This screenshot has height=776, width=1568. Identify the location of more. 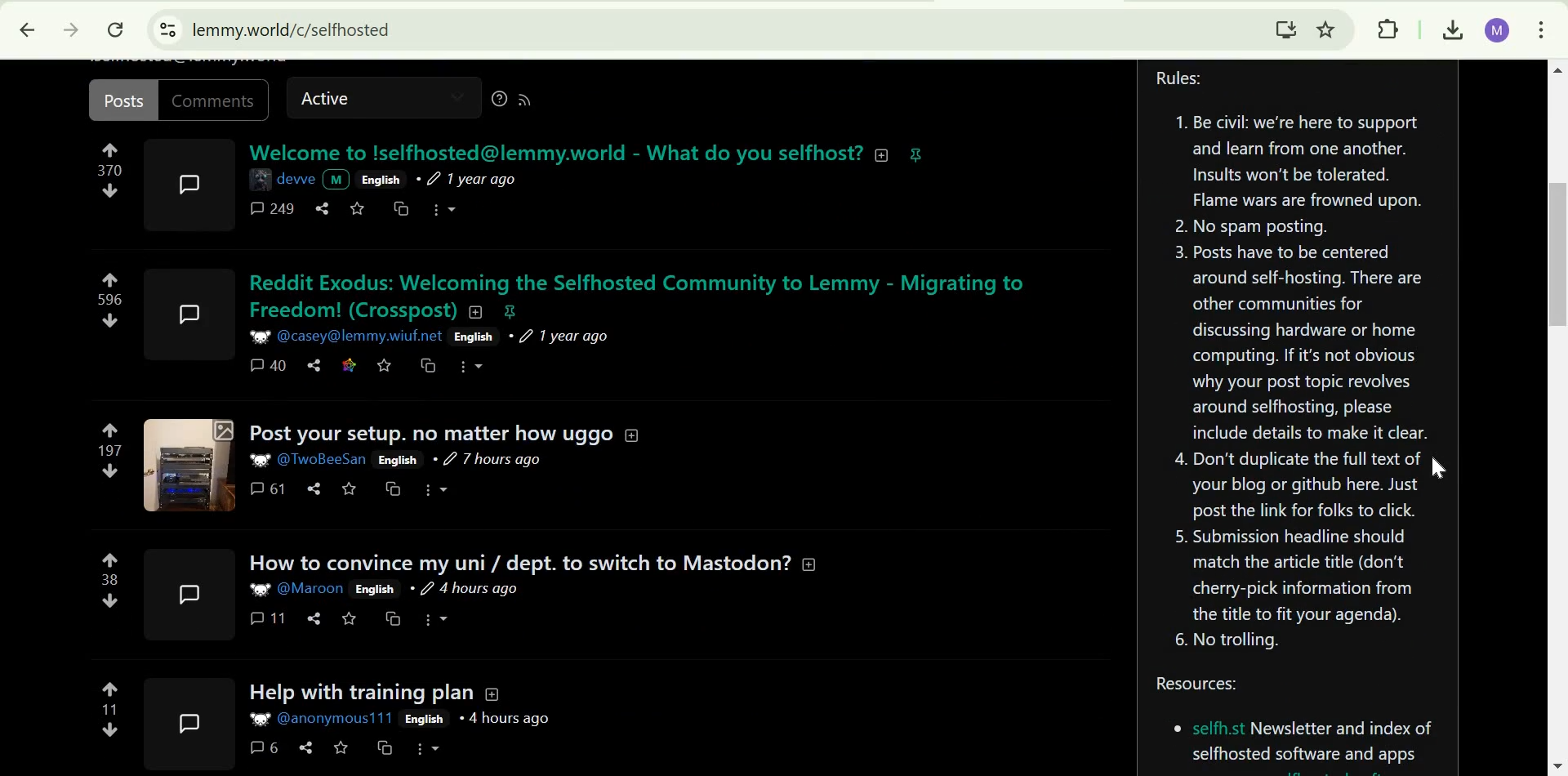
(448, 207).